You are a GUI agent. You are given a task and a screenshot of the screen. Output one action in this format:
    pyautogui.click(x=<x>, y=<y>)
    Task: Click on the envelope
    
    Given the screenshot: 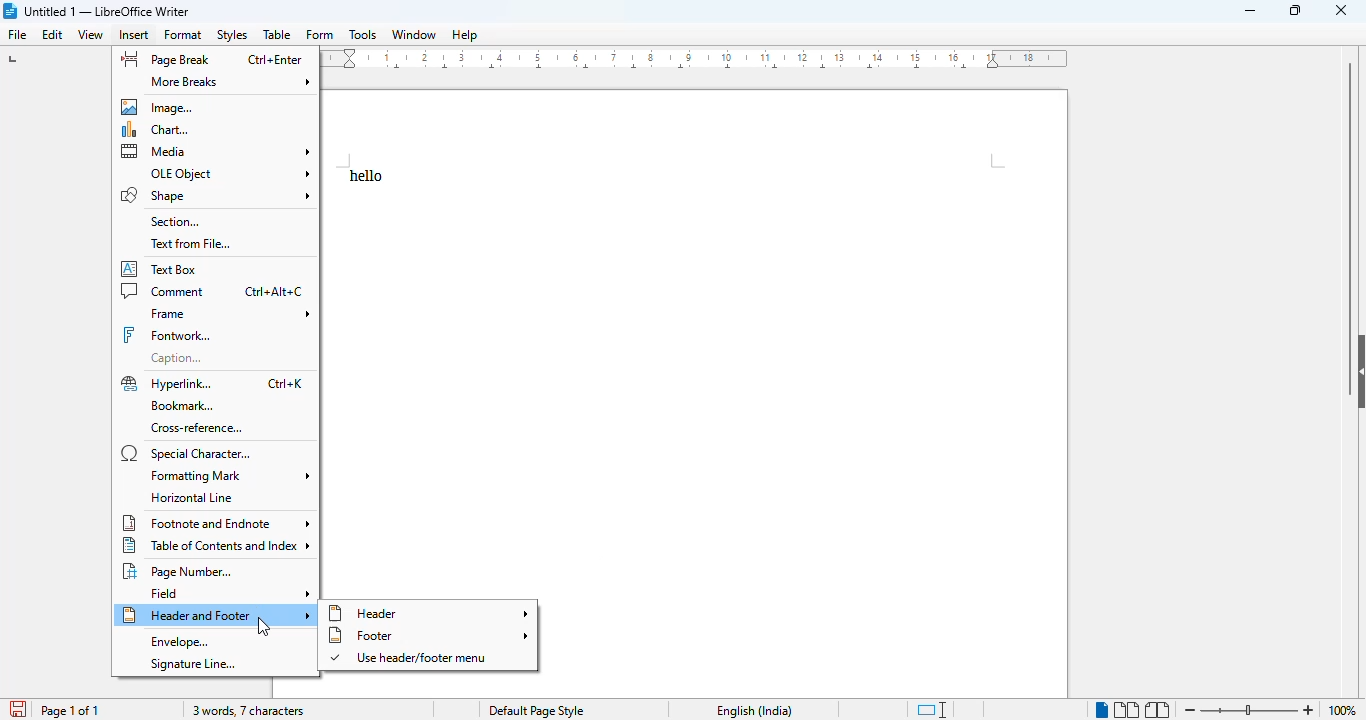 What is the action you would take?
    pyautogui.click(x=179, y=642)
    